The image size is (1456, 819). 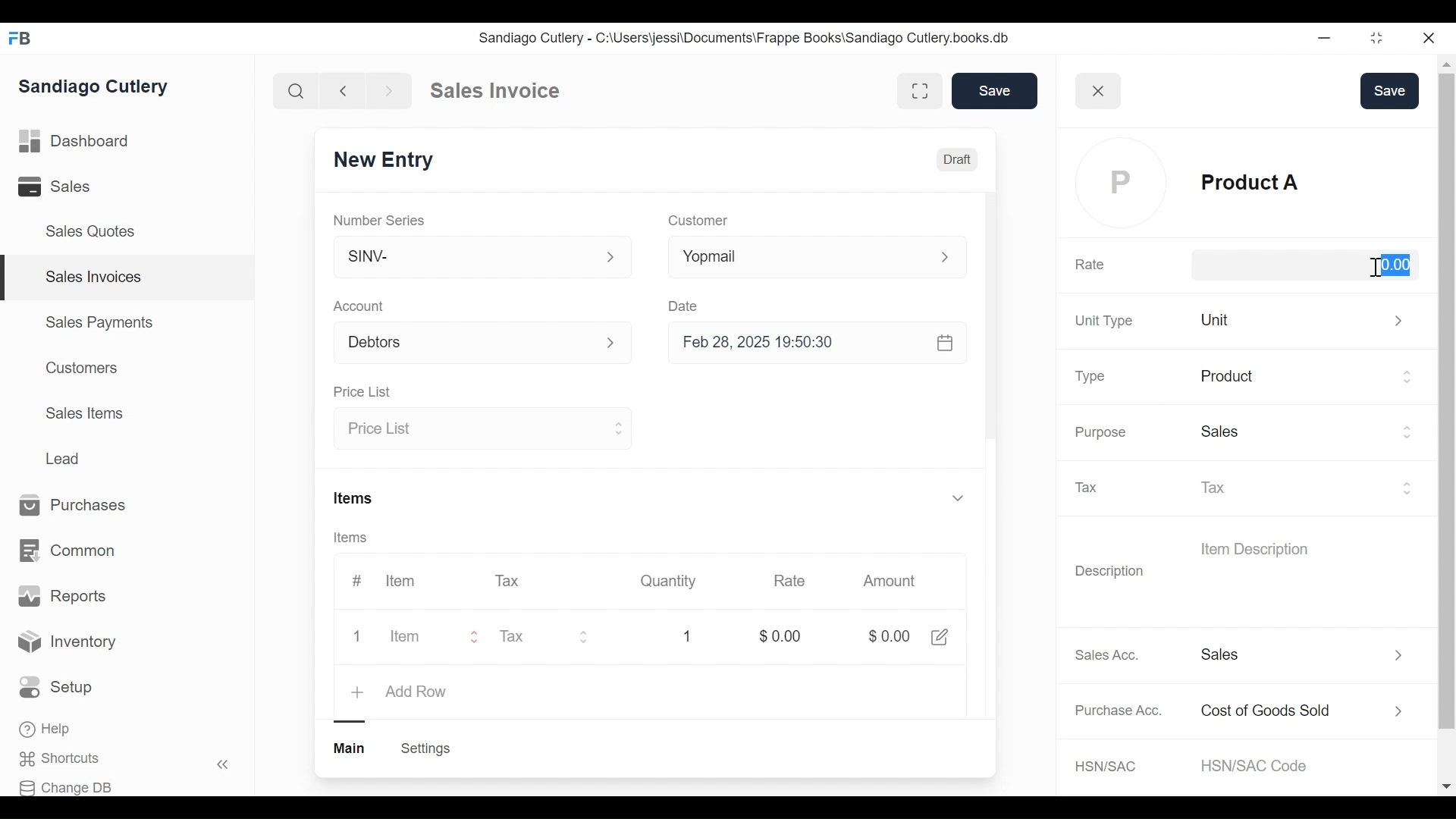 What do you see at coordinates (1324, 37) in the screenshot?
I see `minimize` at bounding box center [1324, 37].